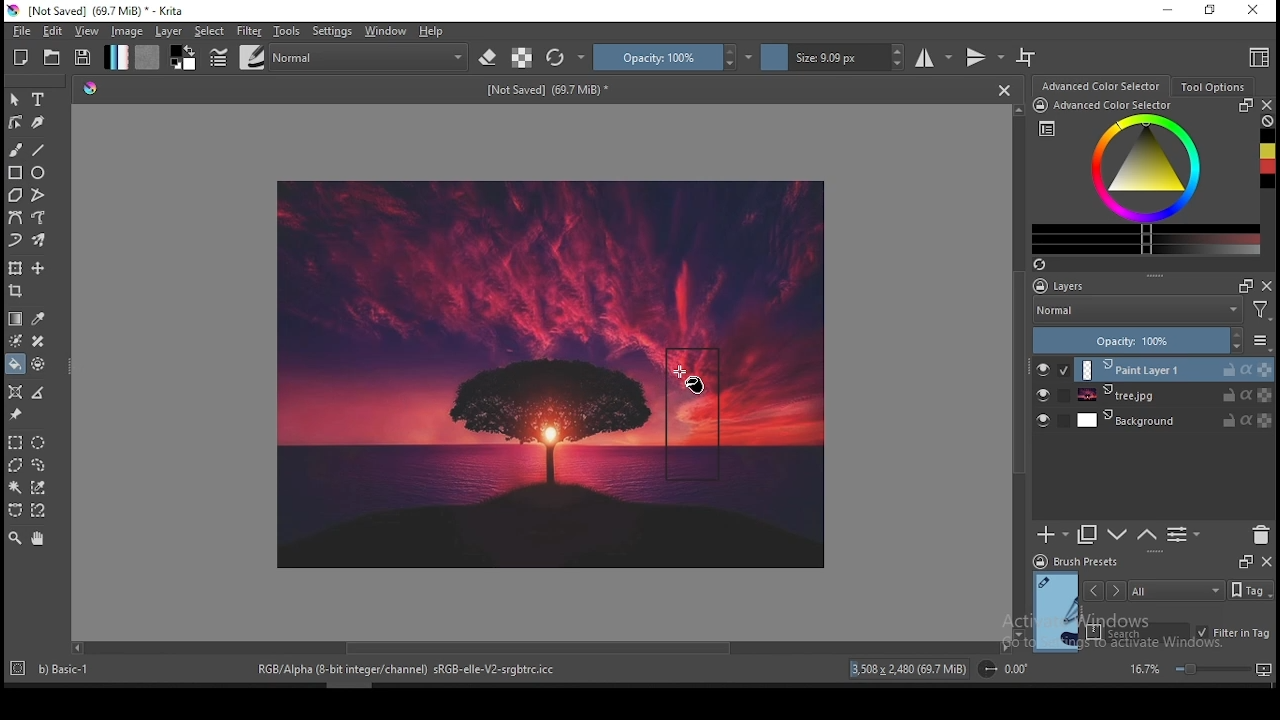 This screenshot has height=720, width=1280. What do you see at coordinates (15, 539) in the screenshot?
I see `zoom tool` at bounding box center [15, 539].